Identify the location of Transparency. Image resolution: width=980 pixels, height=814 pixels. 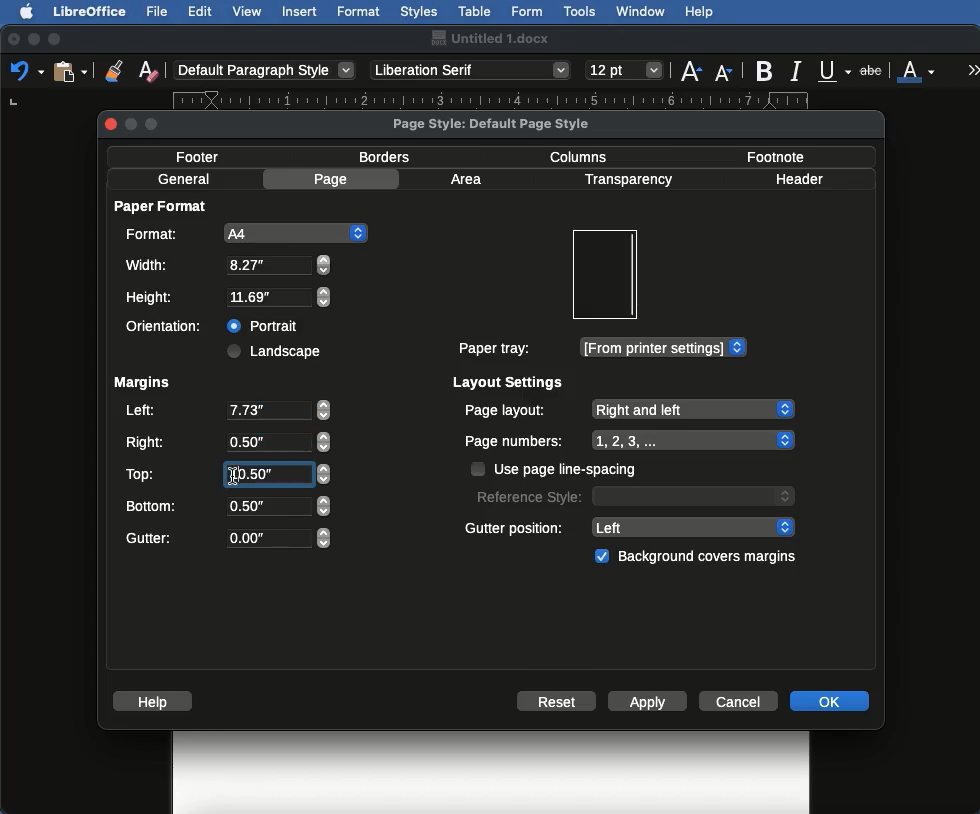
(627, 180).